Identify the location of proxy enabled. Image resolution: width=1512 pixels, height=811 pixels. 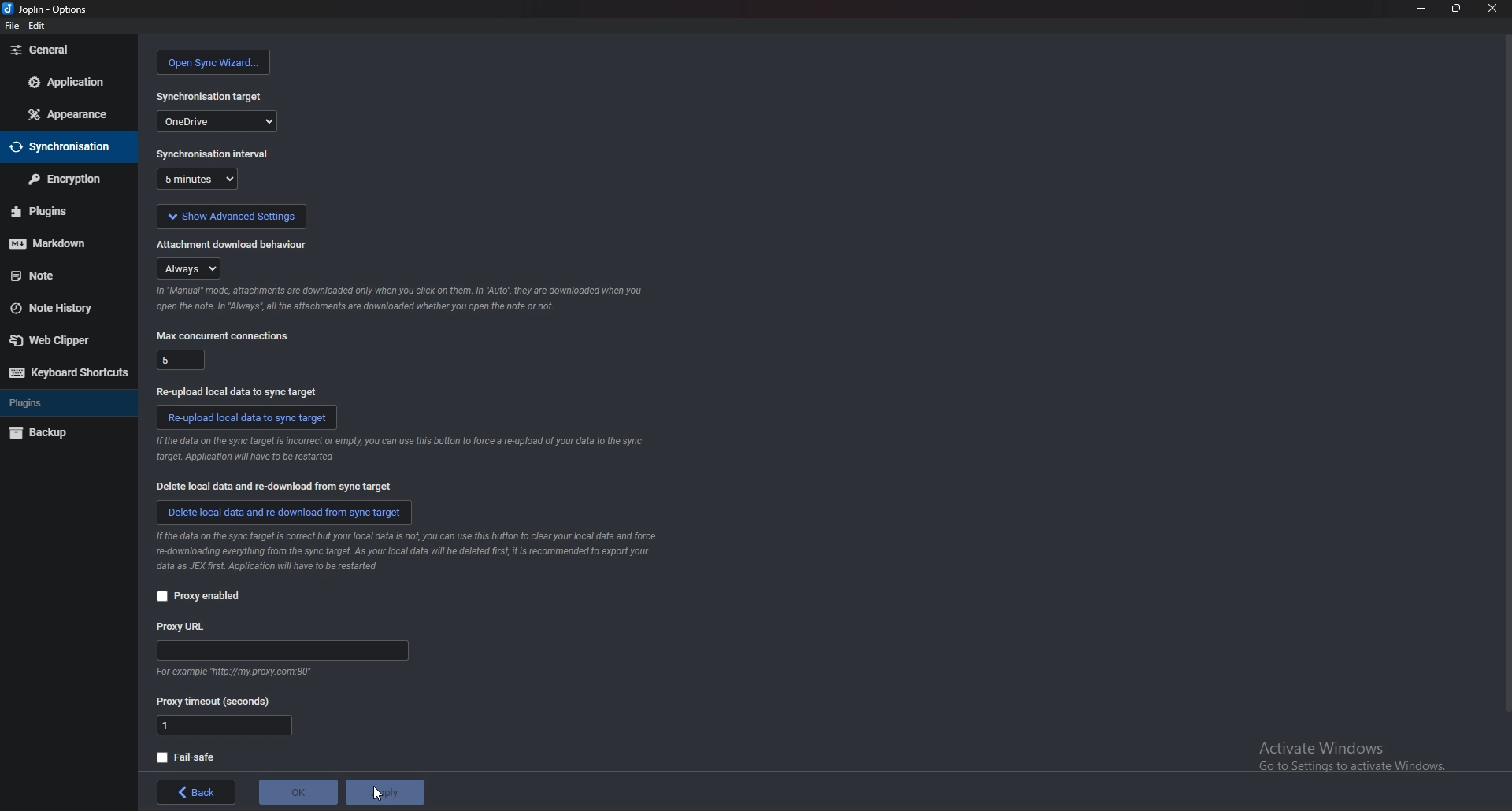
(202, 596).